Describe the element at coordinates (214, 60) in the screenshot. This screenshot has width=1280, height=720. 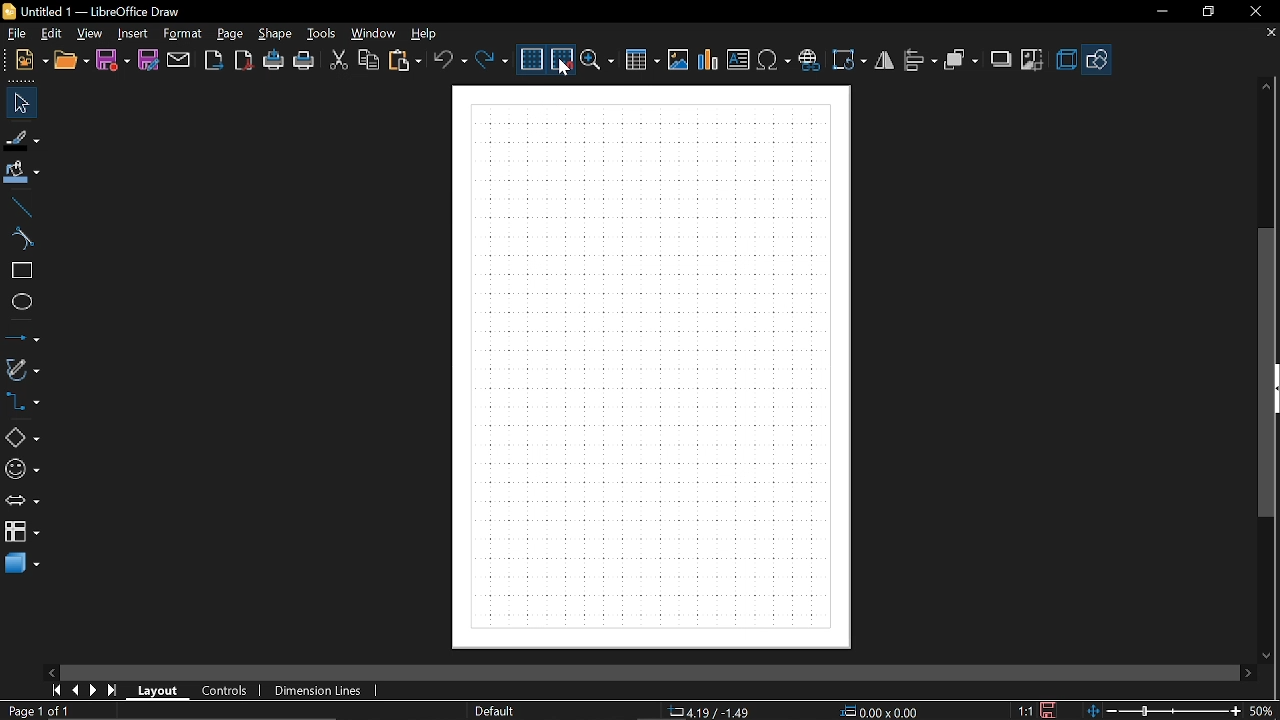
I see `export` at that location.